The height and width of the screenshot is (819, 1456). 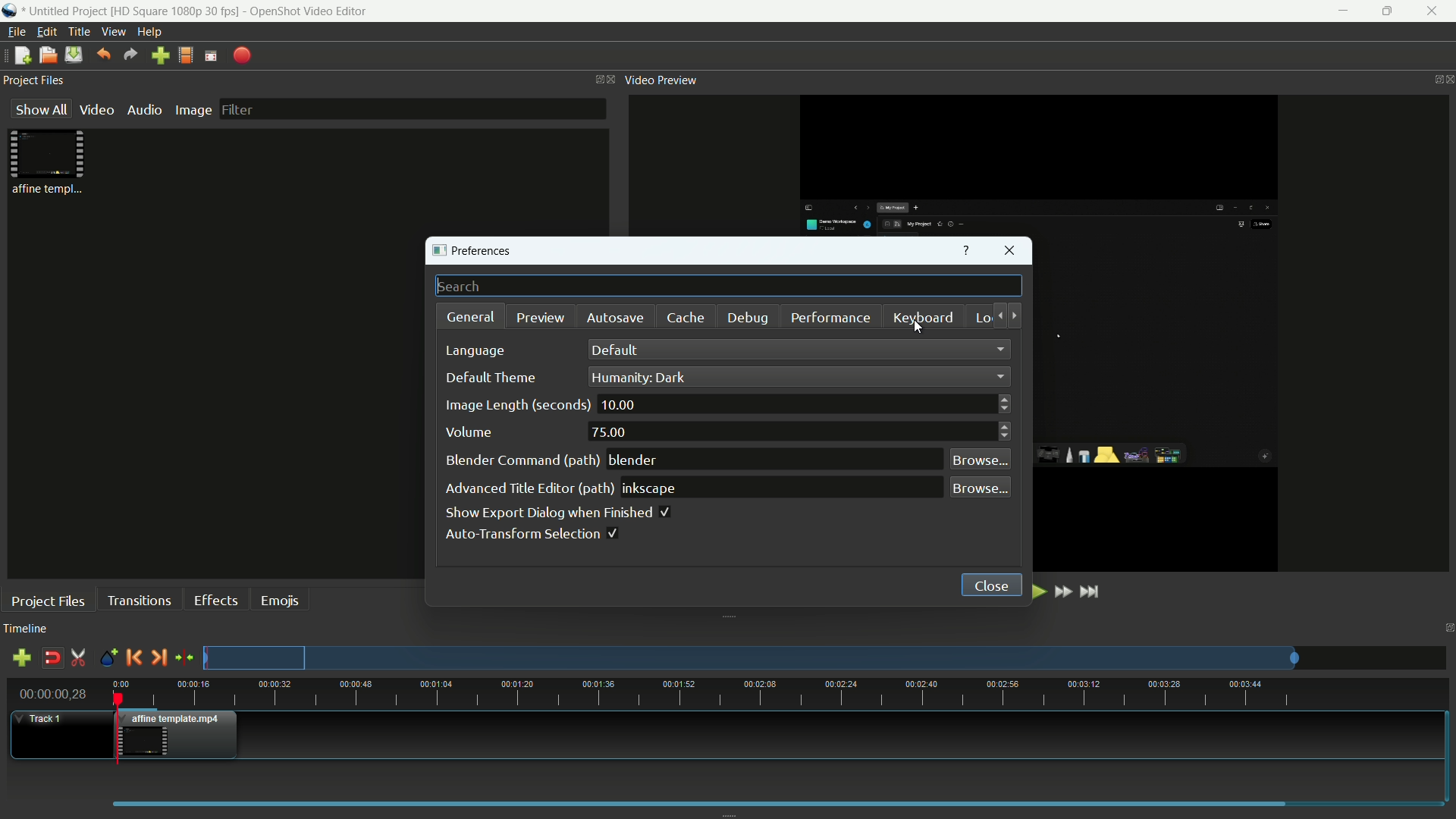 What do you see at coordinates (541, 317) in the screenshot?
I see `preview` at bounding box center [541, 317].